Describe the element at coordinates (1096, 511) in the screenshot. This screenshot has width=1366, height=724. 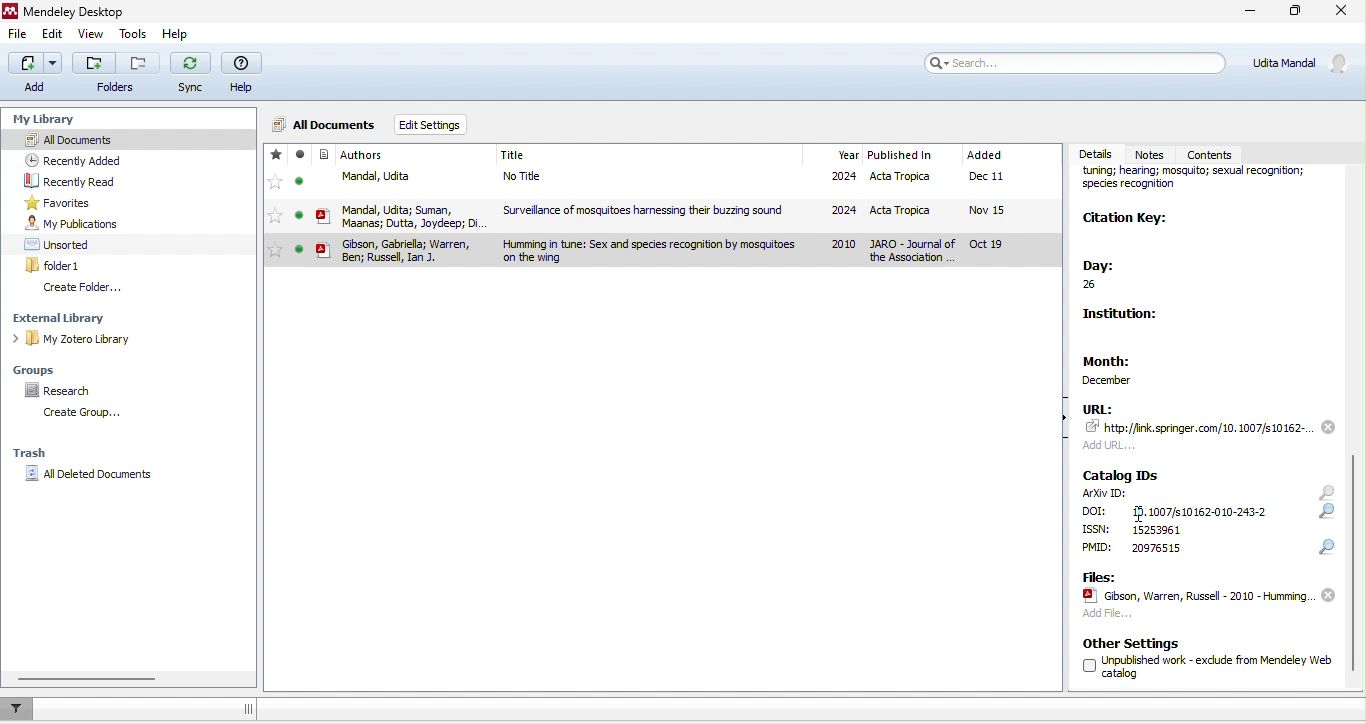
I see `text` at that location.